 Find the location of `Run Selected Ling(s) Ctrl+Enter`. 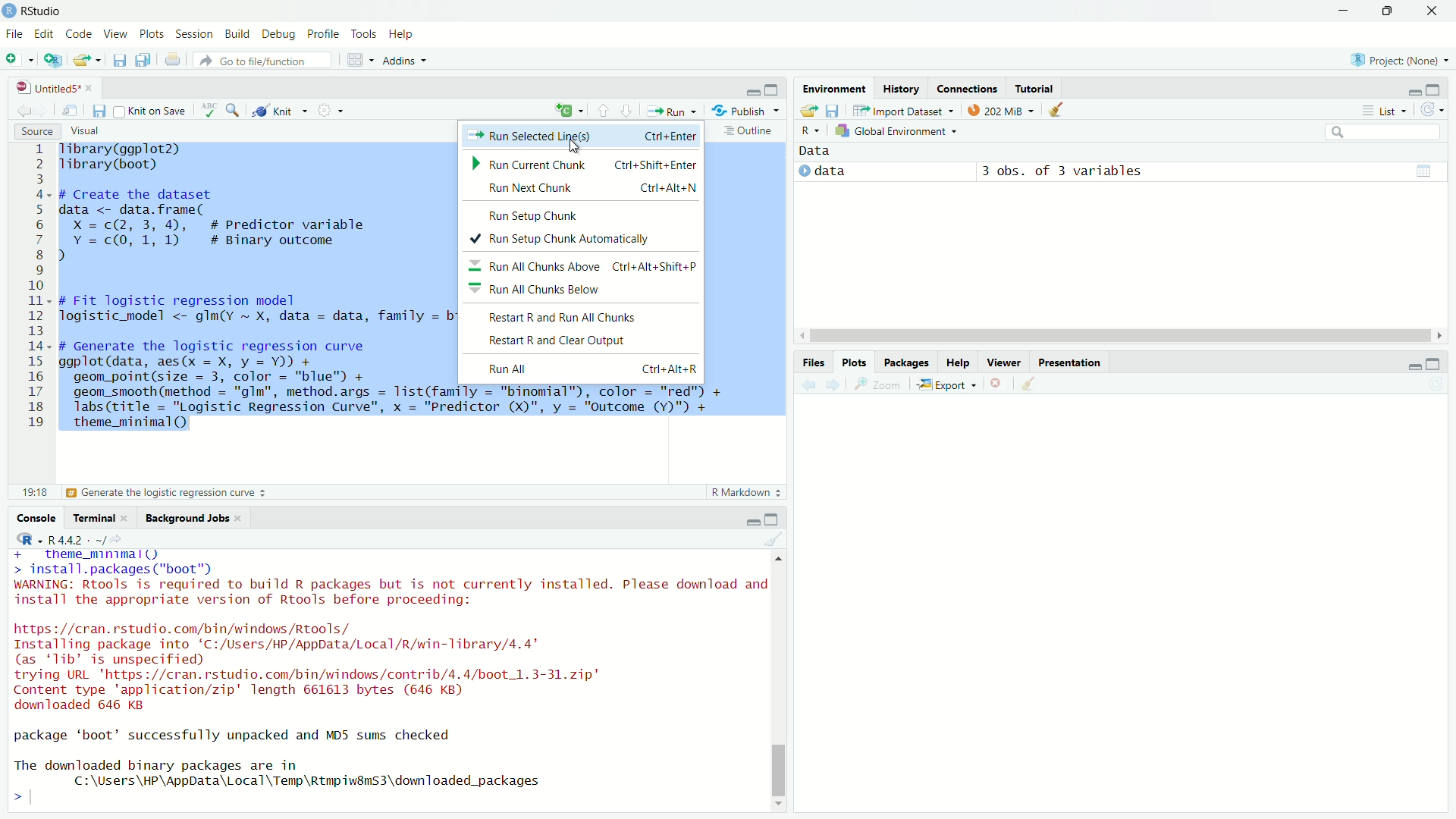

Run Selected Ling(s) Ctrl+Enter is located at coordinates (581, 135).